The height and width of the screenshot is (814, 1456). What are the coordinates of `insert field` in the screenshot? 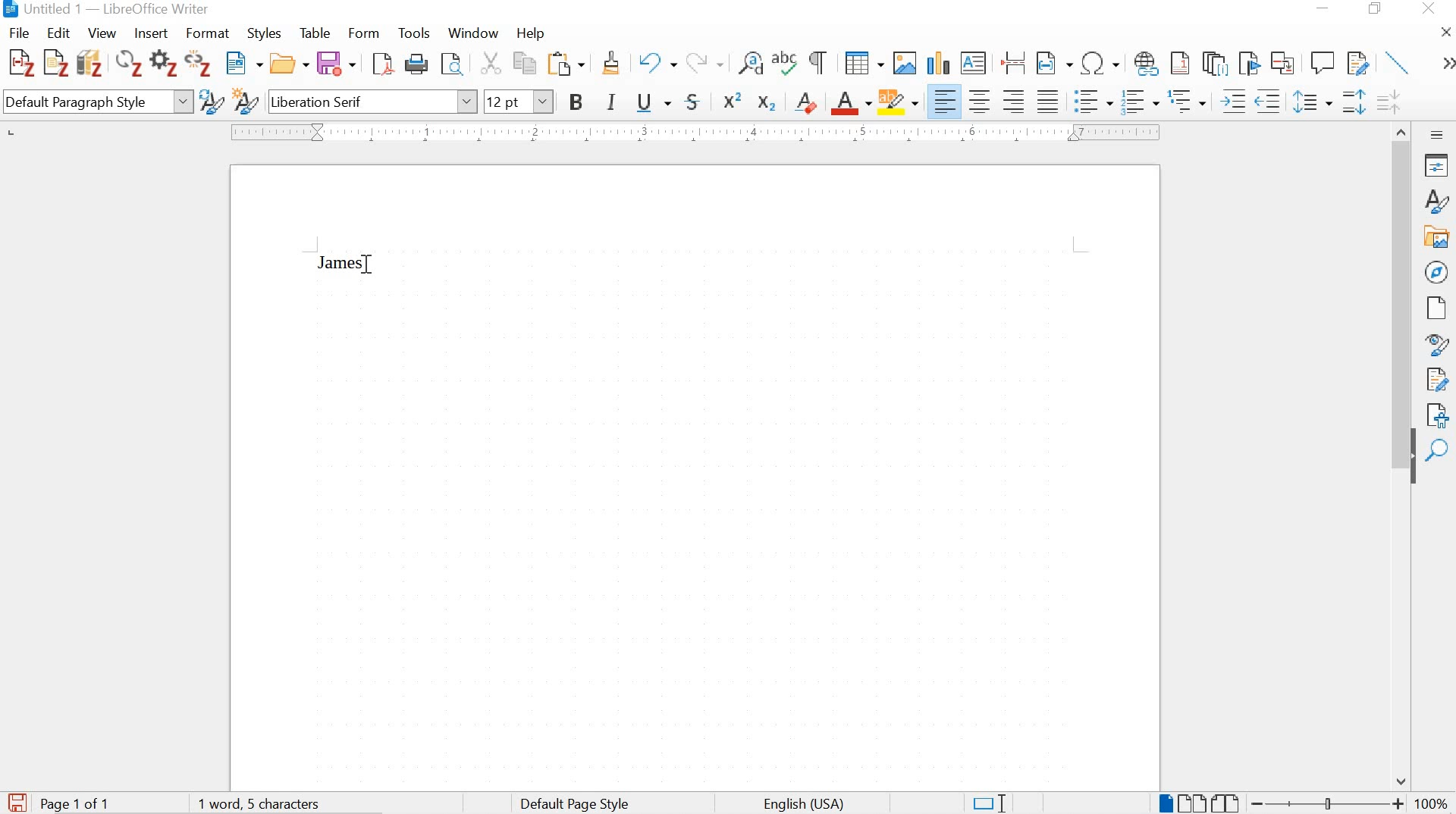 It's located at (1054, 64).